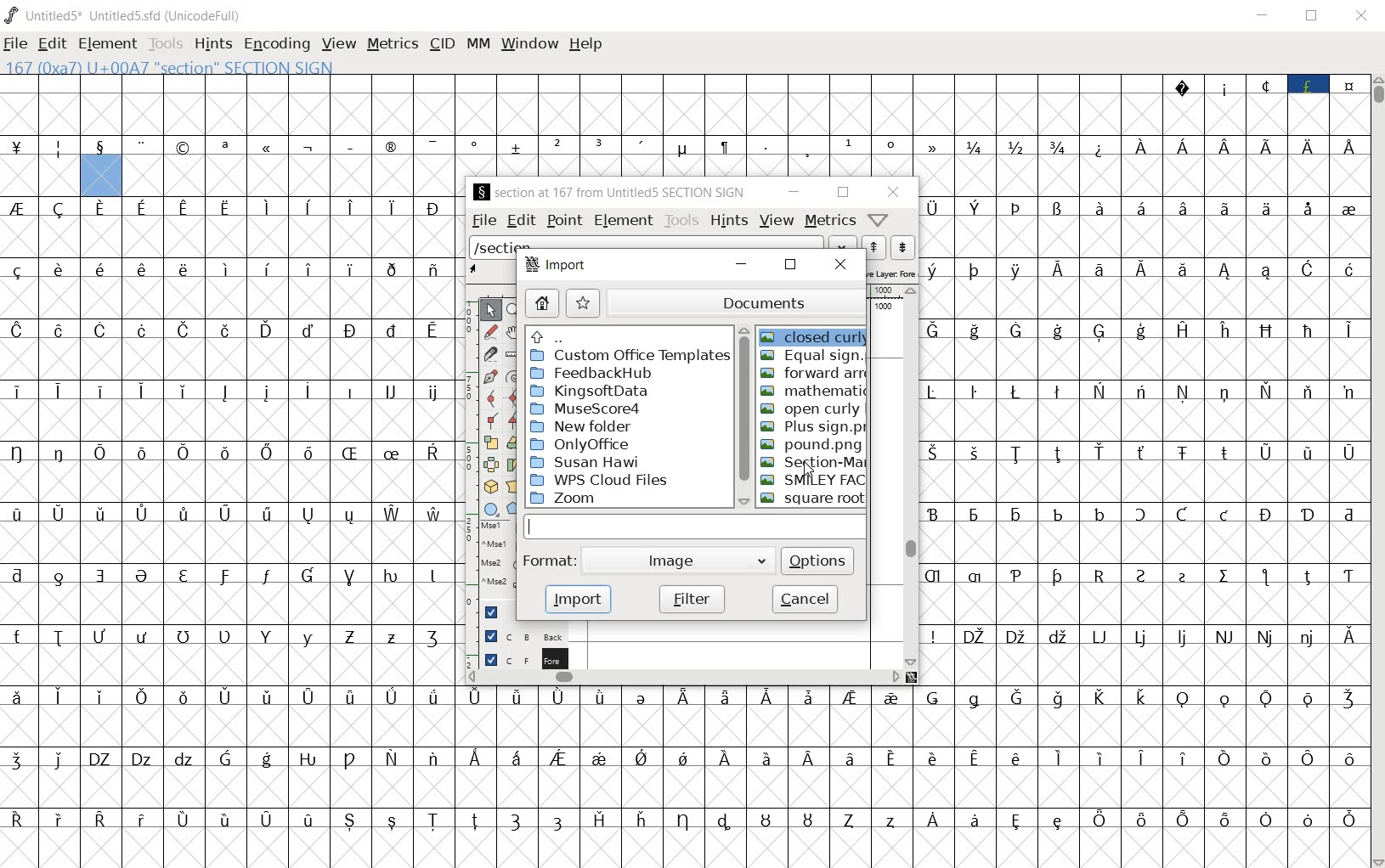 The height and width of the screenshot is (868, 1385). I want to click on Add a corner point, so click(512, 420).